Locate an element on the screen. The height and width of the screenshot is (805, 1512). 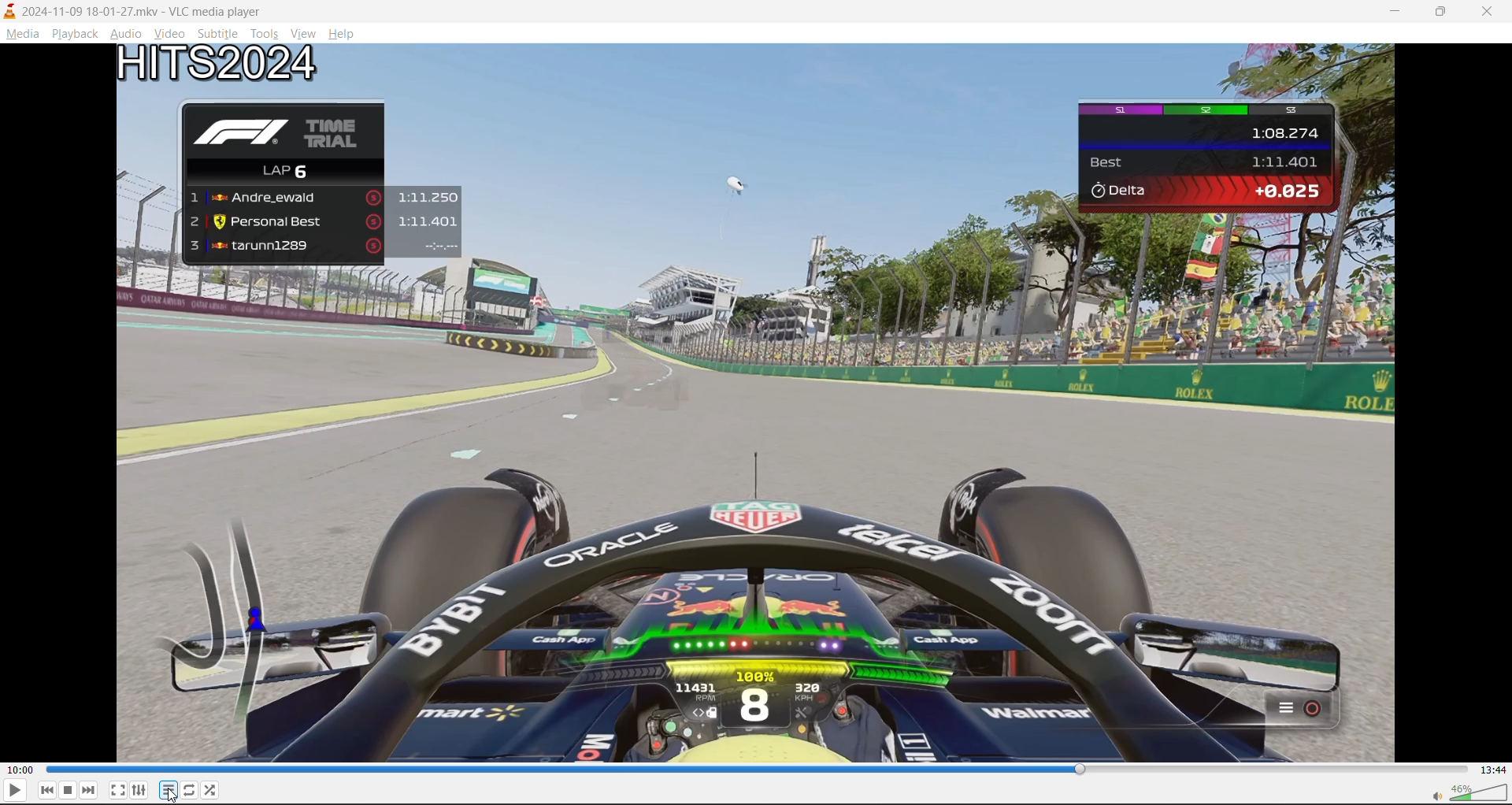
help is located at coordinates (343, 34).